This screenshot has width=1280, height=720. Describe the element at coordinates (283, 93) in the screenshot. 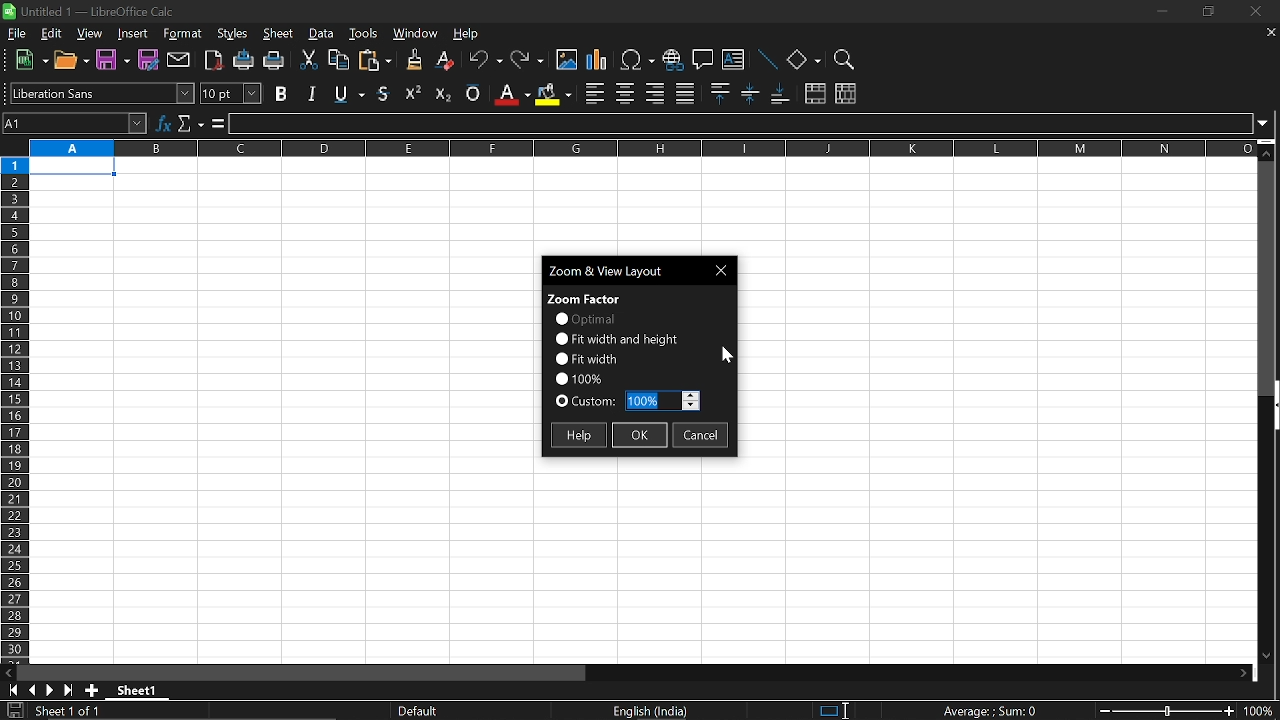

I see `bold` at that location.